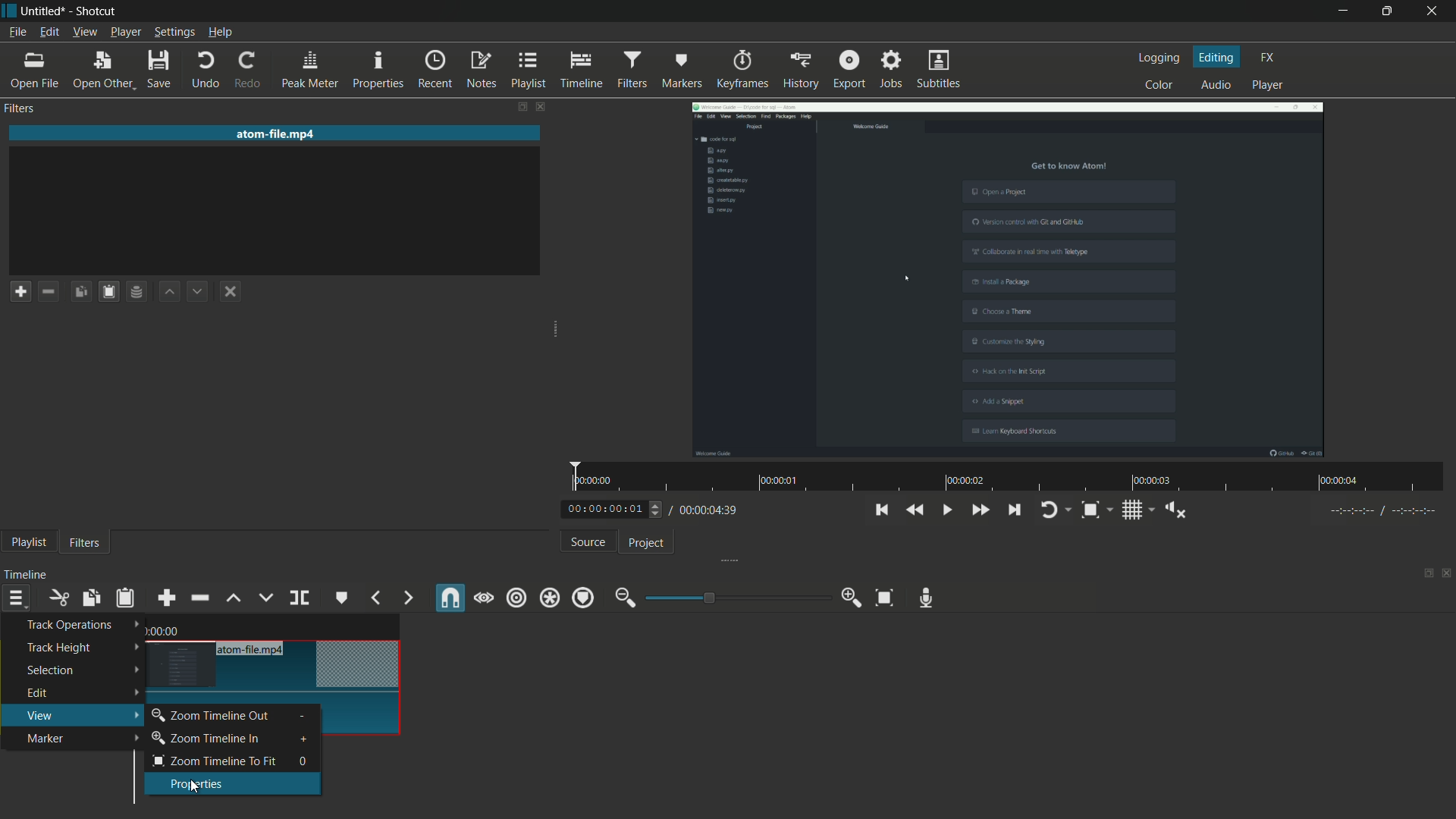 The height and width of the screenshot is (819, 1456). Describe the element at coordinates (90, 598) in the screenshot. I see `copy` at that location.